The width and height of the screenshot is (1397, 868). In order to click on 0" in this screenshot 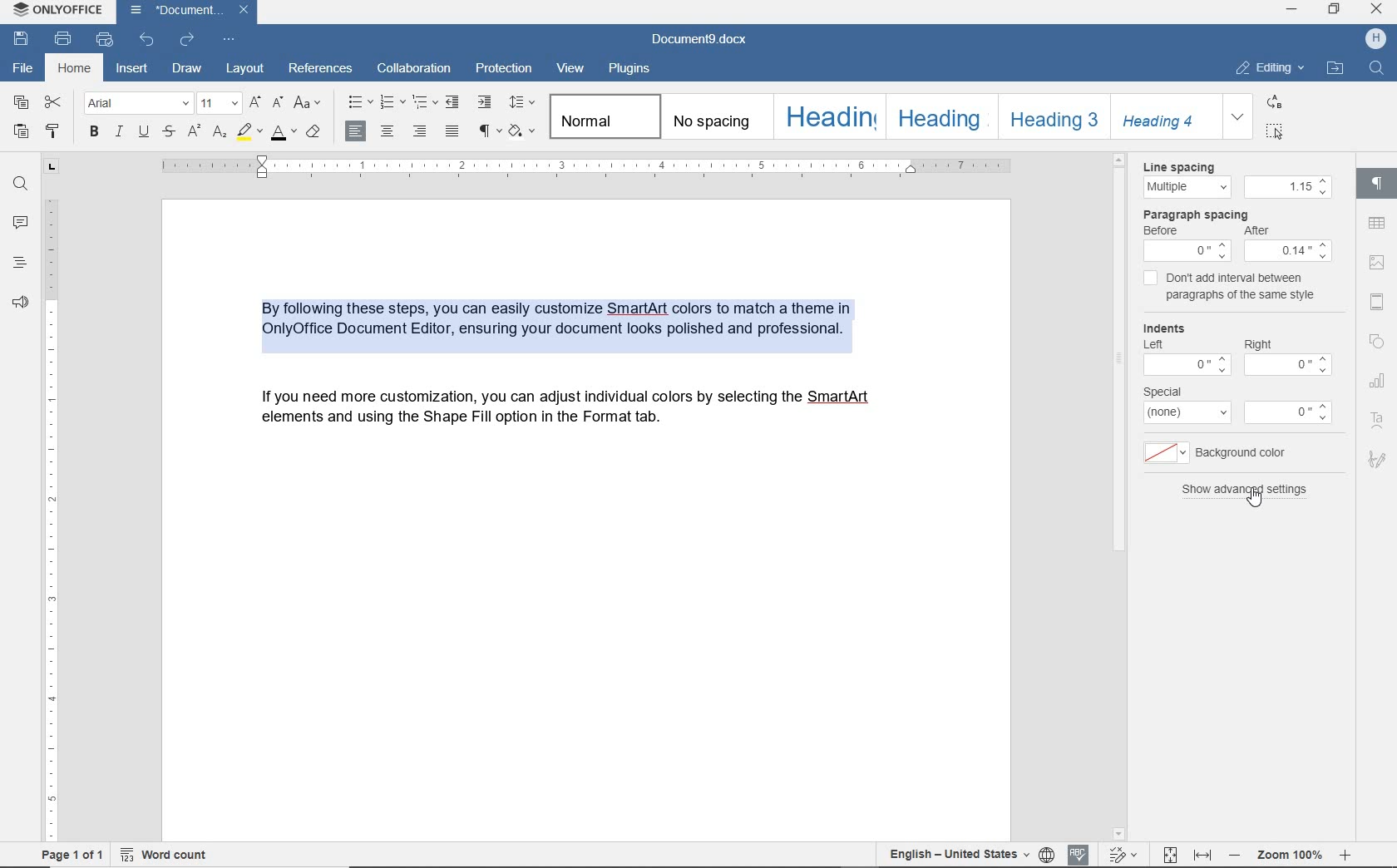, I will do `click(1295, 365)`.